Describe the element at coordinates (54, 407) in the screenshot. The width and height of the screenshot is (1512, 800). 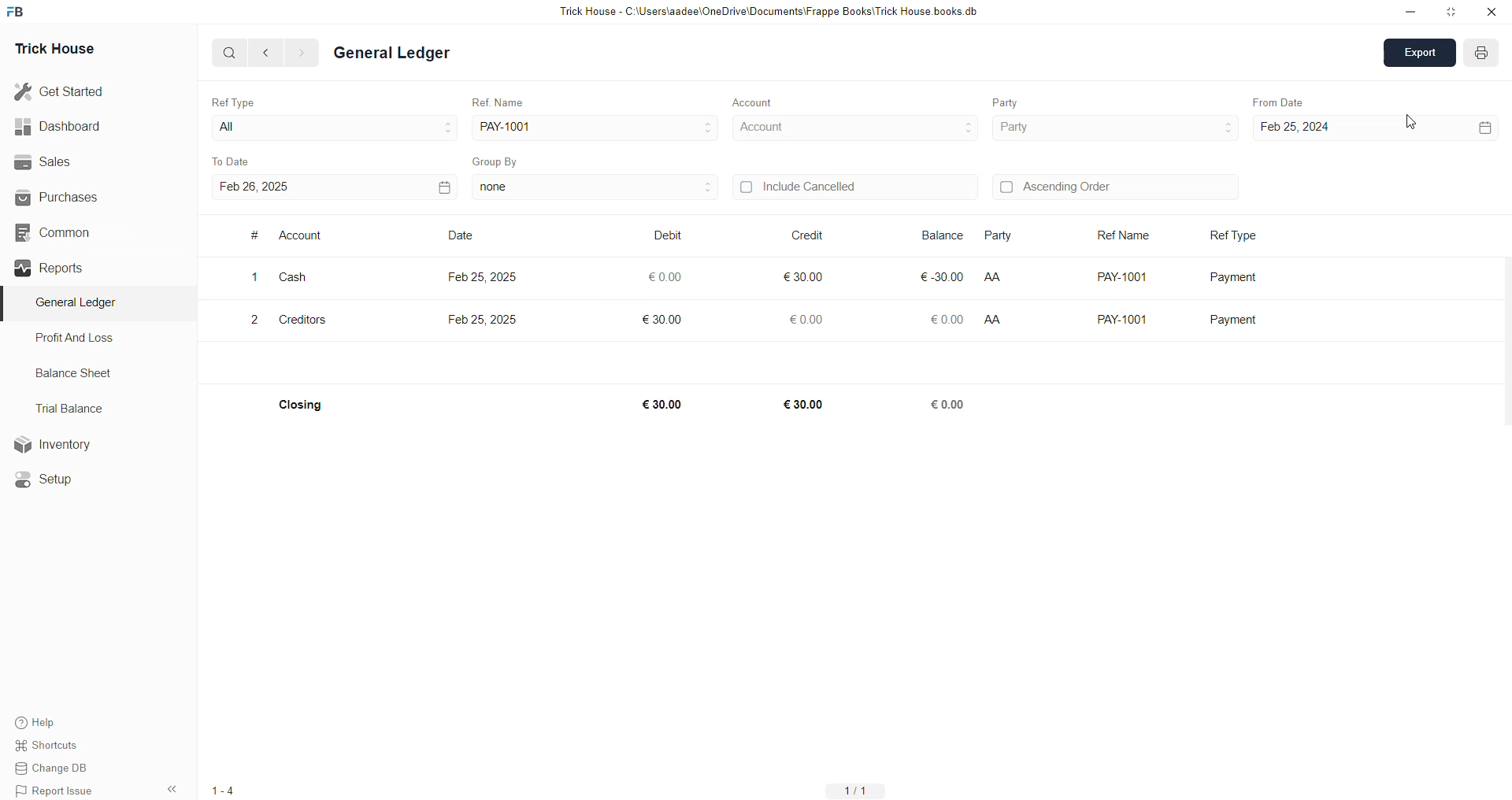
I see `Reports` at that location.